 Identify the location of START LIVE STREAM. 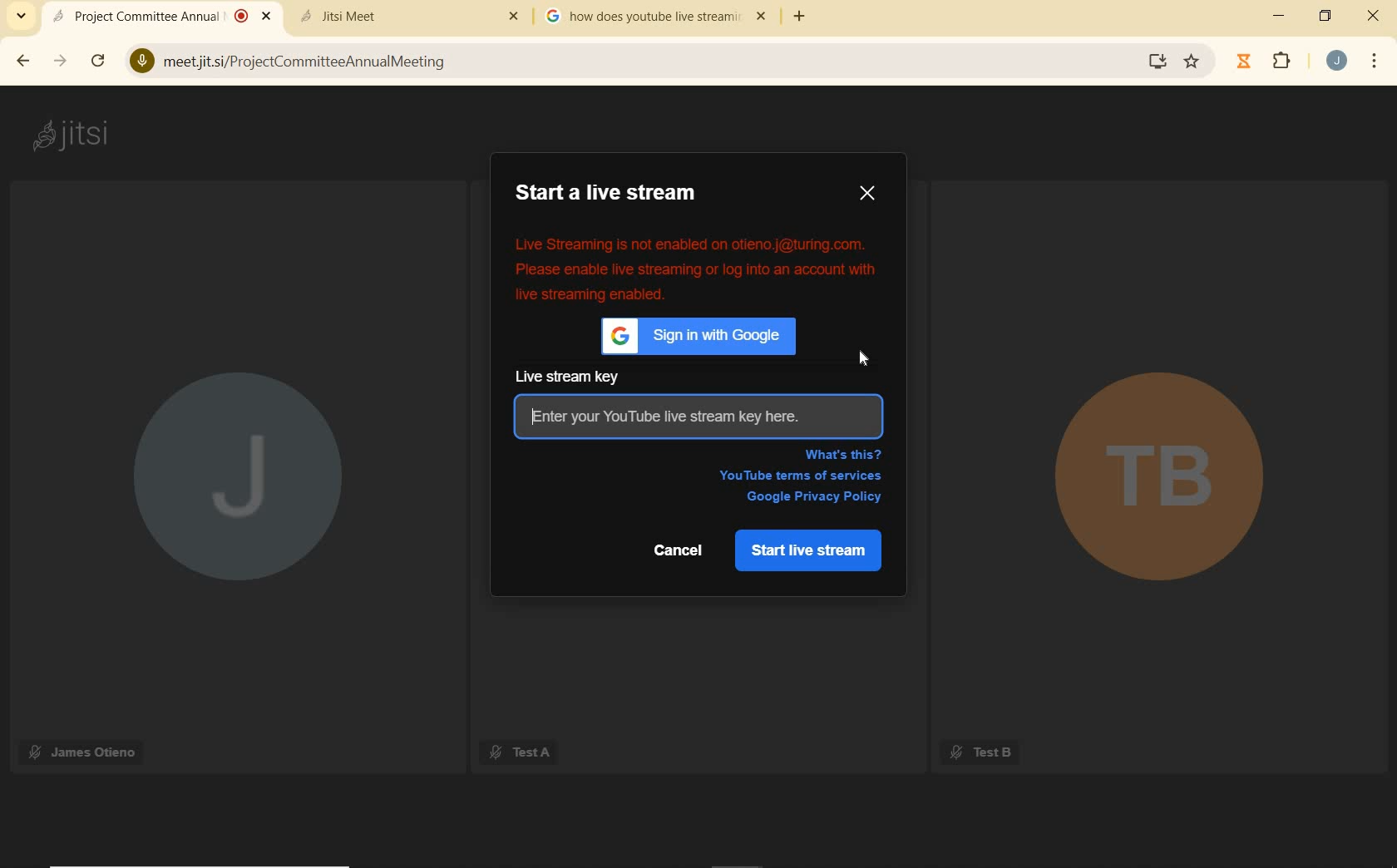
(812, 550).